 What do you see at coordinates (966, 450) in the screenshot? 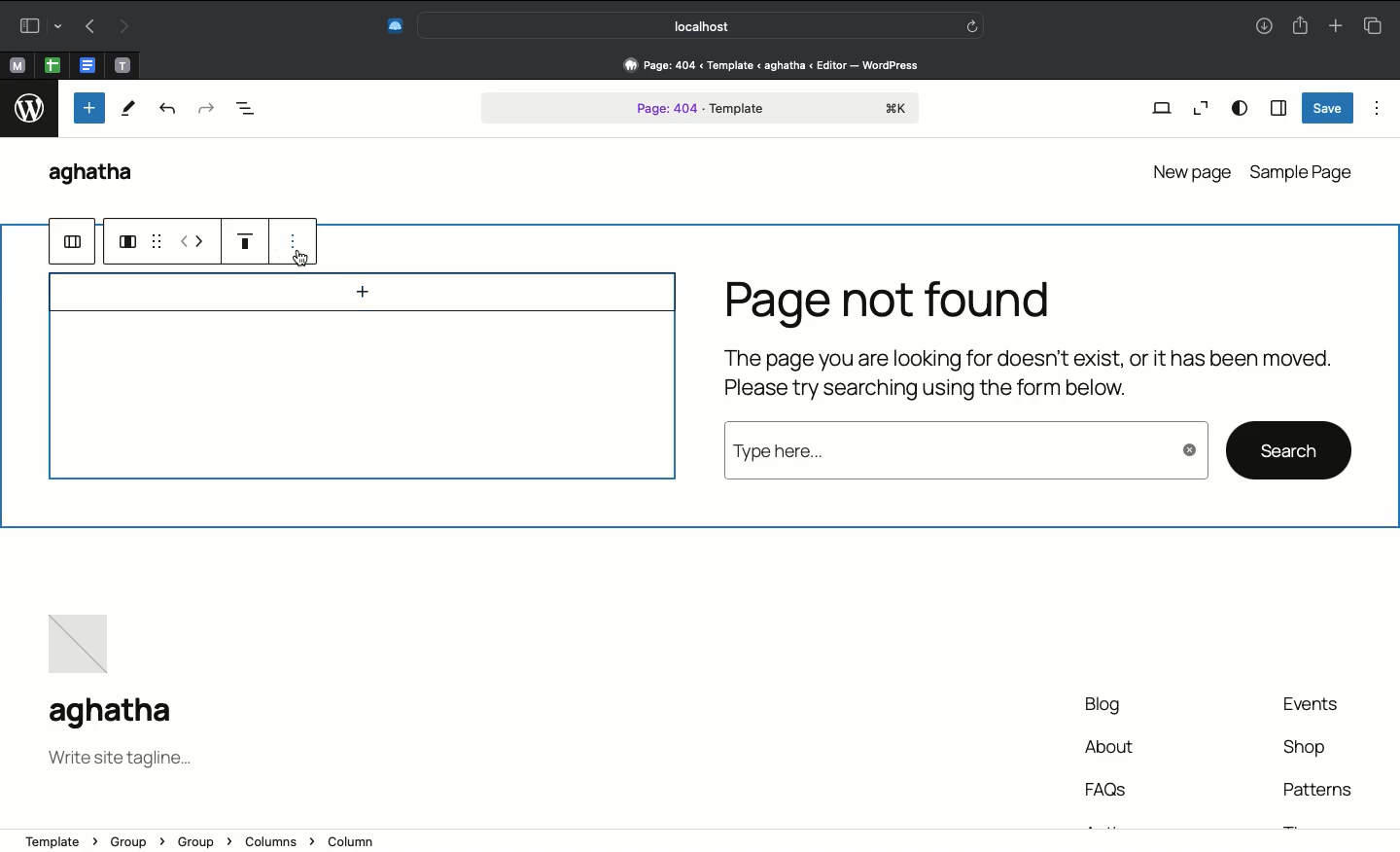
I see `Type here` at bounding box center [966, 450].